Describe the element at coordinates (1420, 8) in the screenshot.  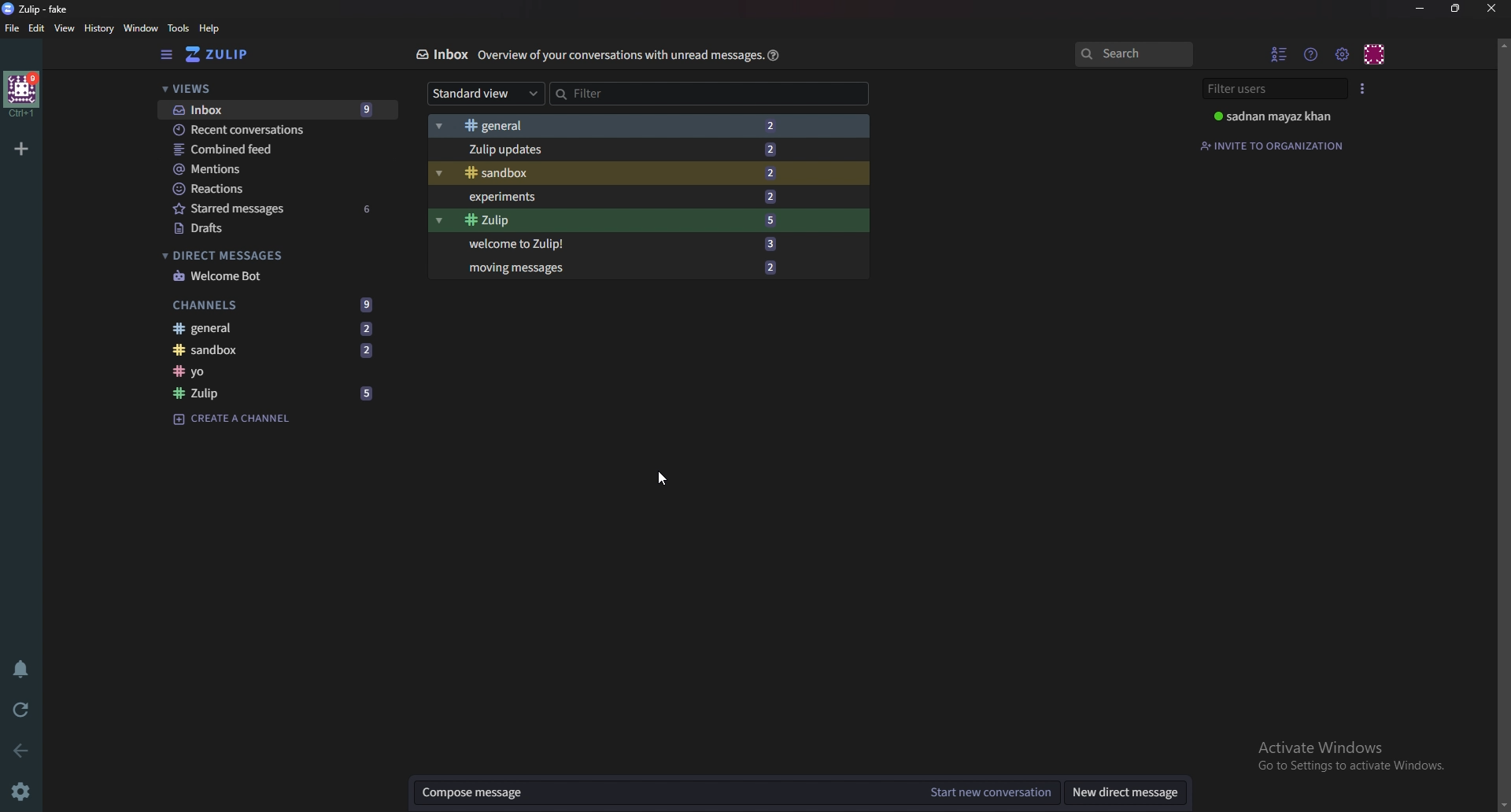
I see `Minimize` at that location.